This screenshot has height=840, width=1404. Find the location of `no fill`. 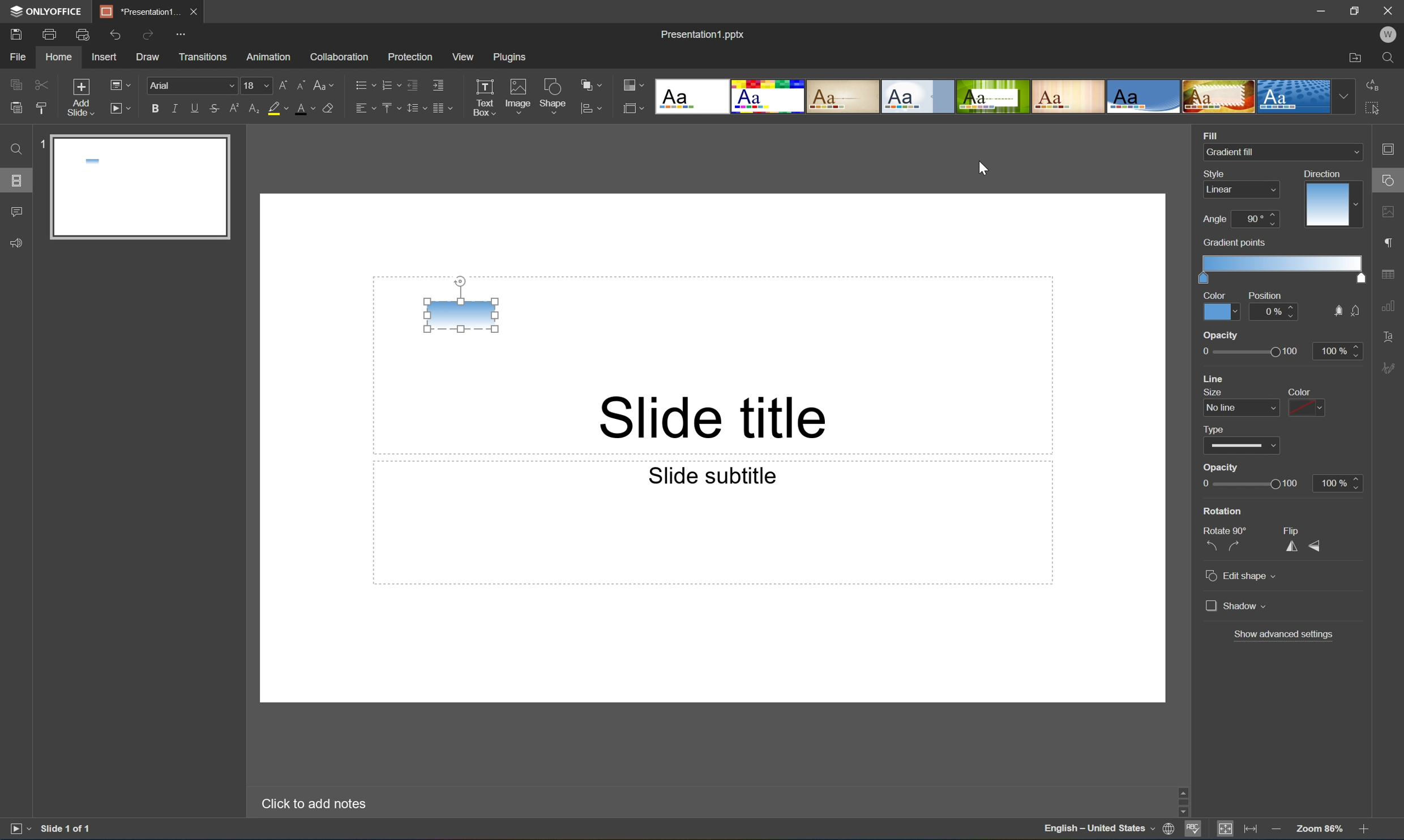

no fill is located at coordinates (1356, 311).